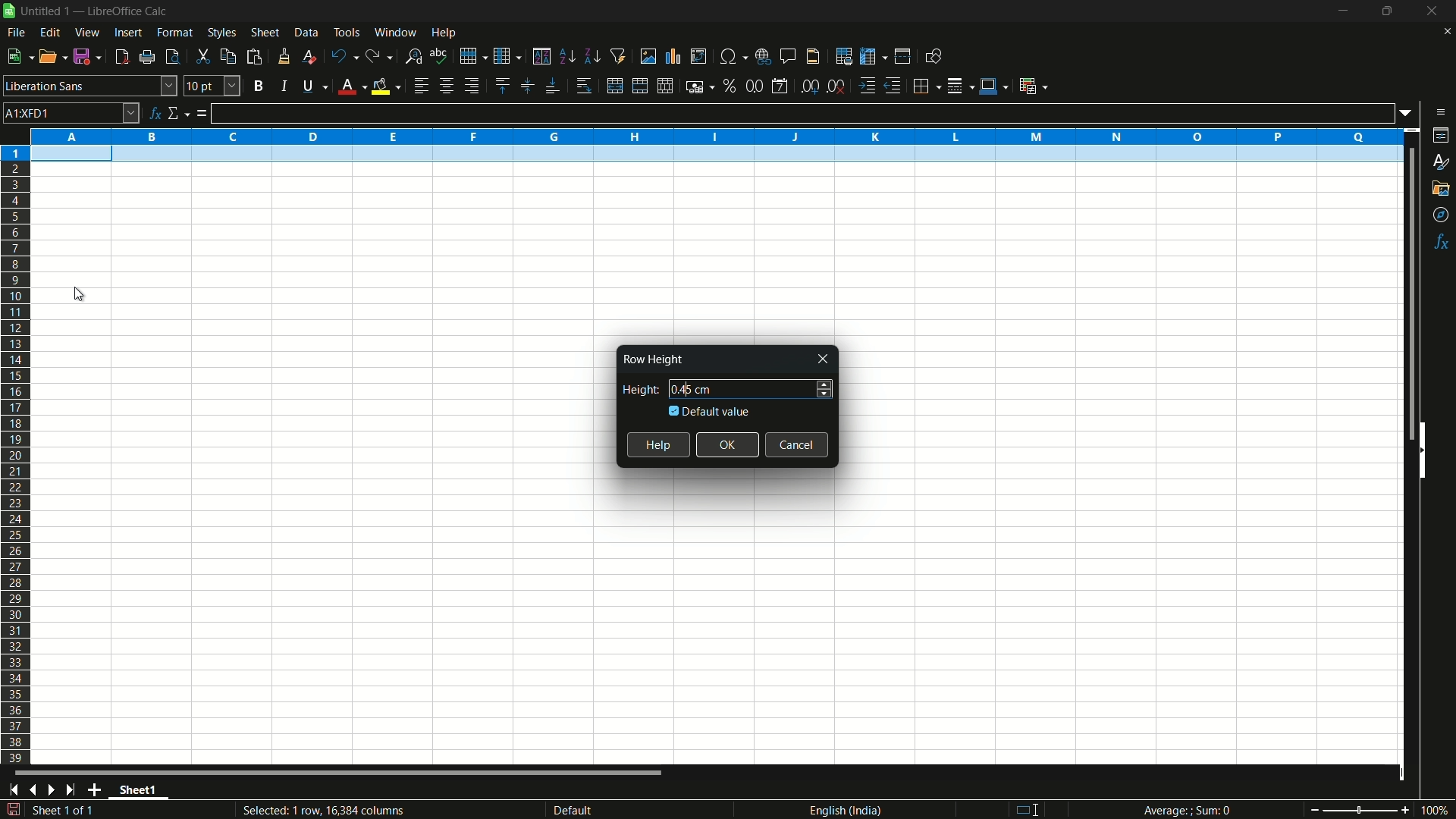 This screenshot has width=1456, height=819. I want to click on merge and center or unmerge depending on the current toggle state, so click(613, 86).